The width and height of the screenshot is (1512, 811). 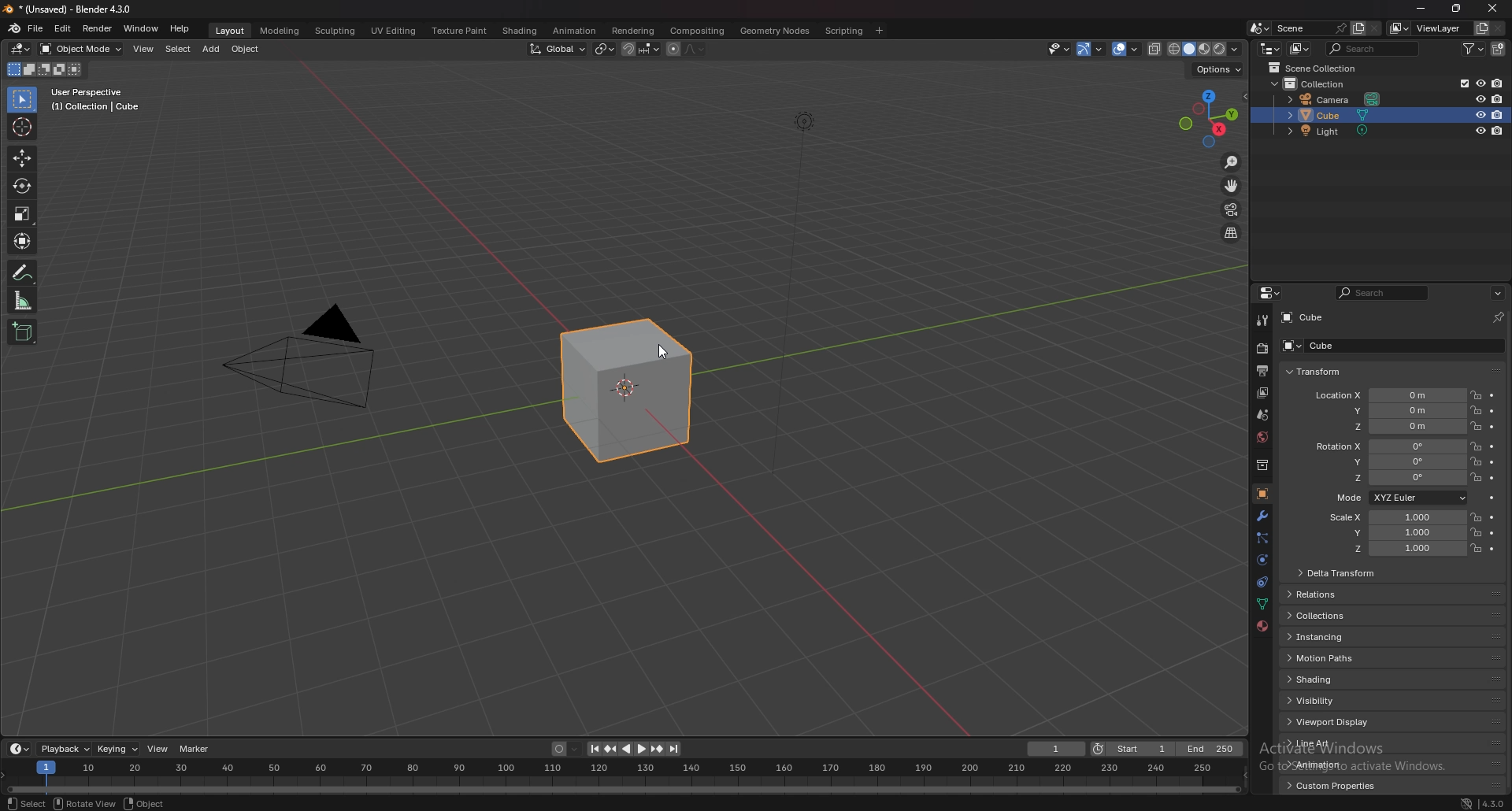 I want to click on PYRAMID, so click(x=313, y=359).